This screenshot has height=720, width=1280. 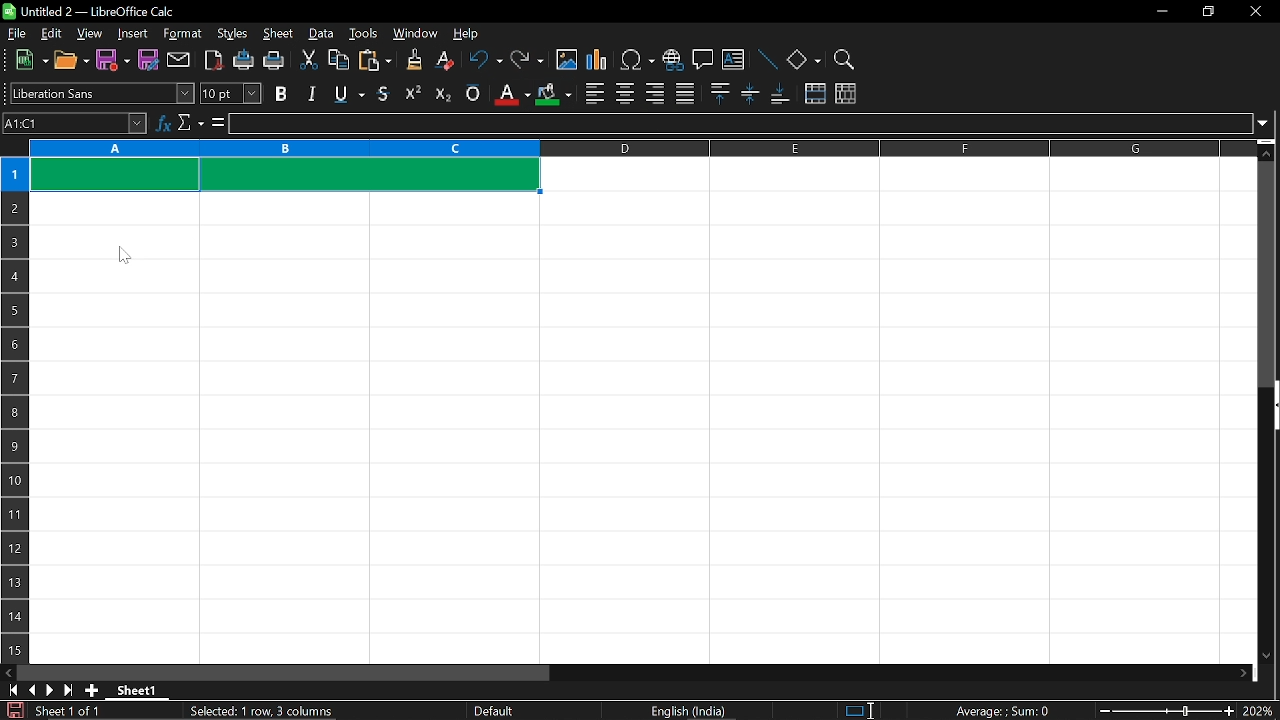 I want to click on file, so click(x=17, y=33).